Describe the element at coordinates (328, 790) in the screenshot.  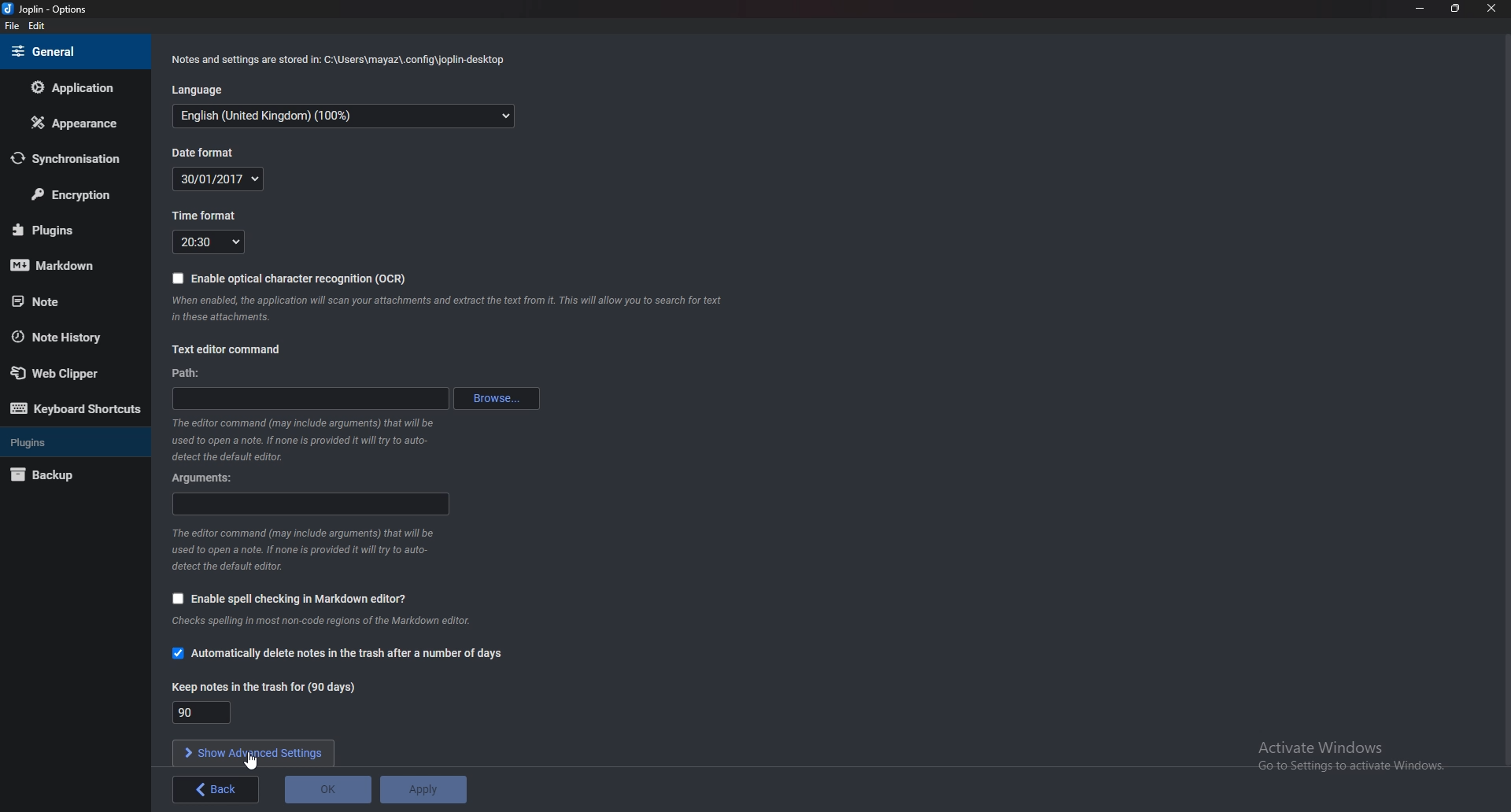
I see `ok` at that location.